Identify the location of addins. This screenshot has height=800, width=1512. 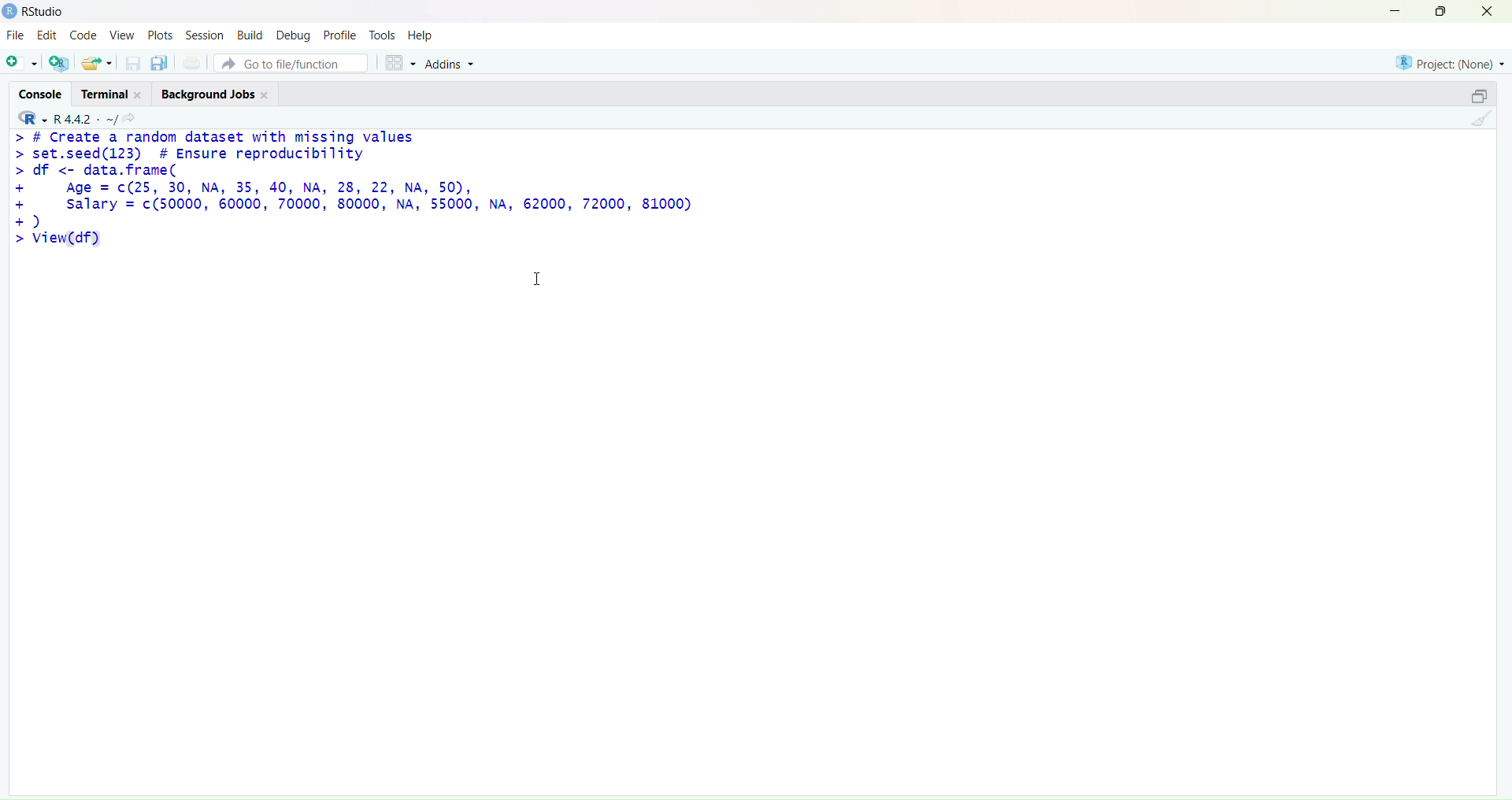
(454, 67).